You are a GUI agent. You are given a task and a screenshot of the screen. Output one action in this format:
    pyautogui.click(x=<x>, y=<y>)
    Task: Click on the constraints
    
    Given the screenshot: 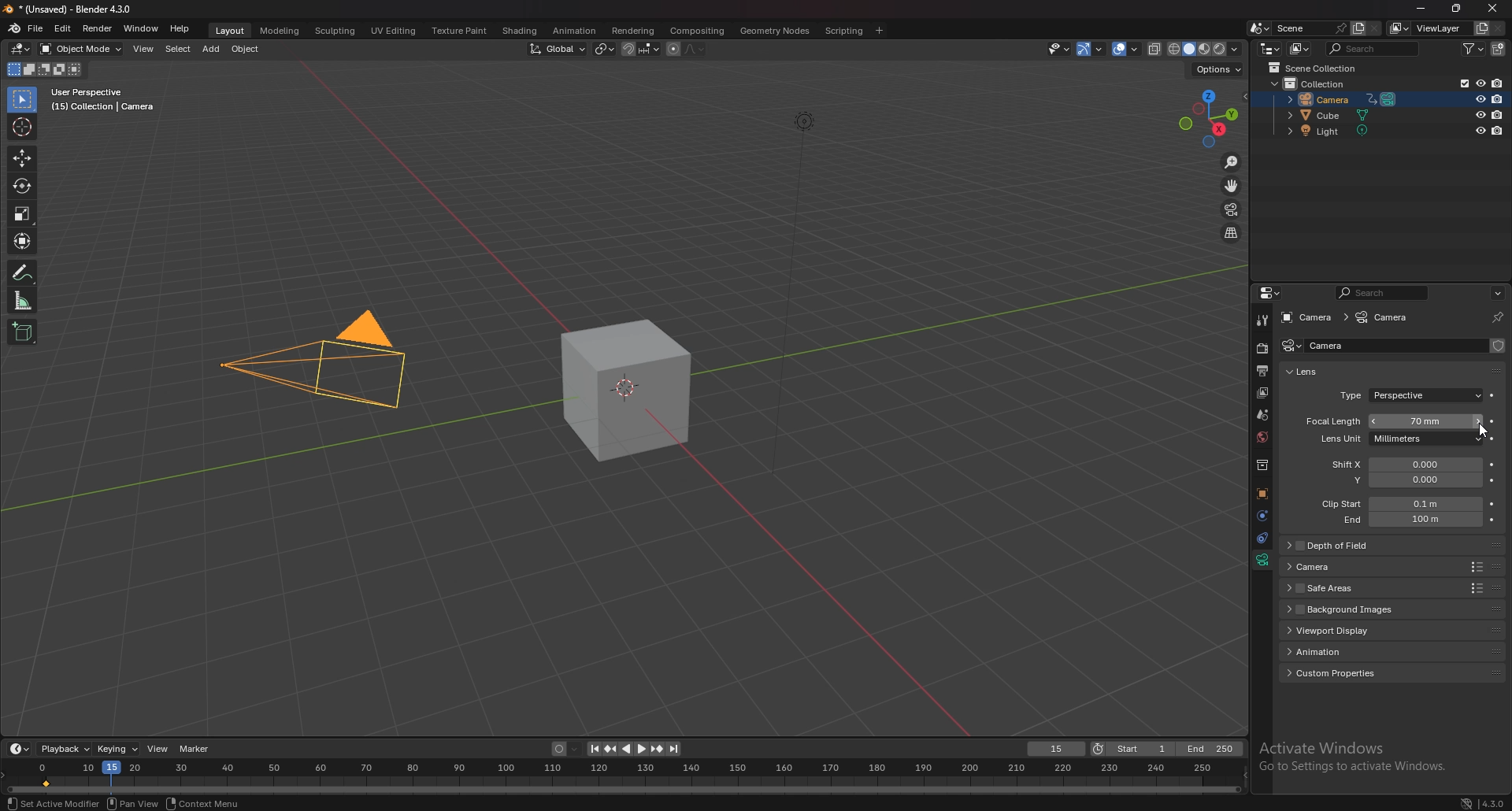 What is the action you would take?
    pyautogui.click(x=1262, y=537)
    